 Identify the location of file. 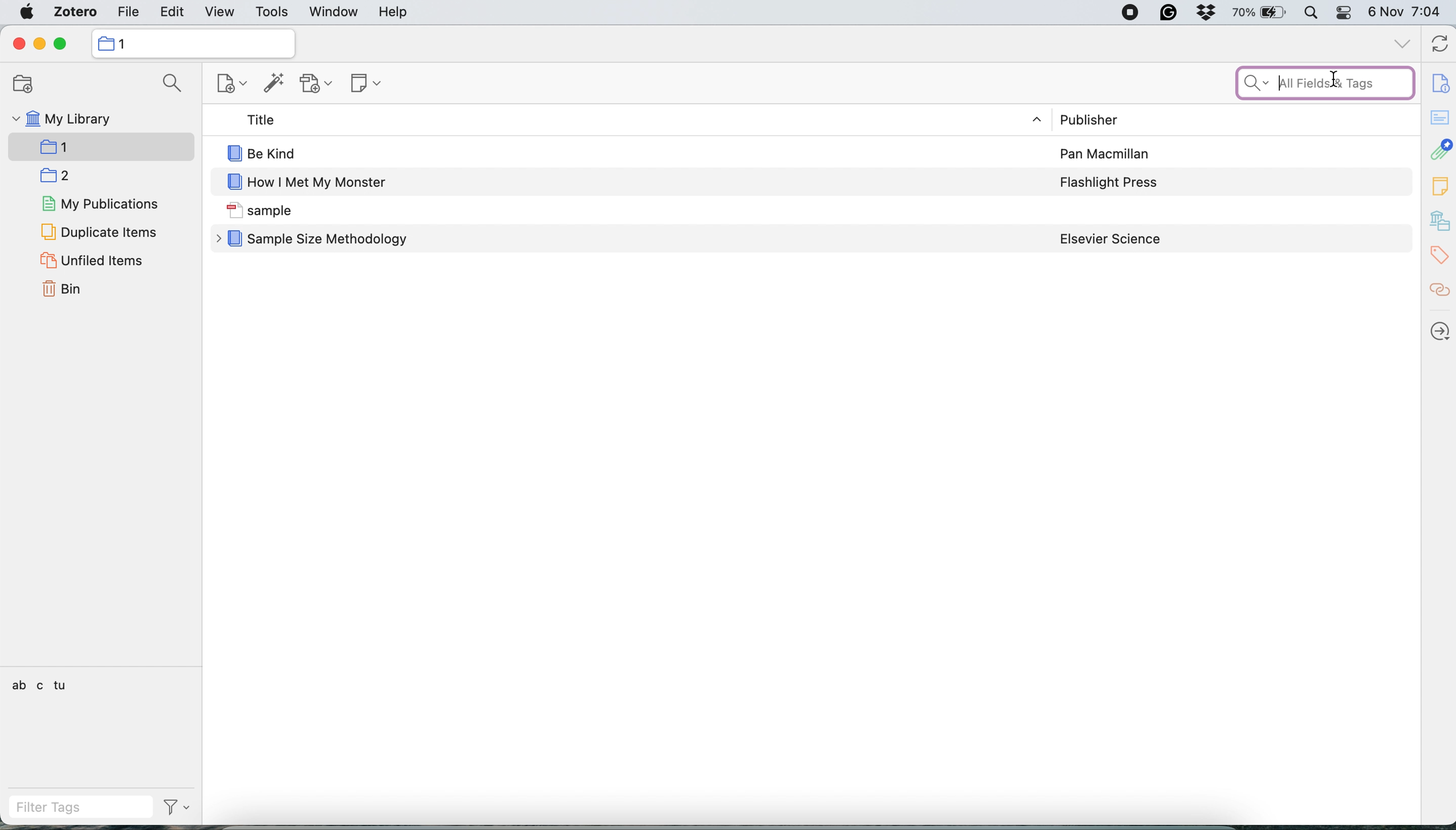
(133, 13).